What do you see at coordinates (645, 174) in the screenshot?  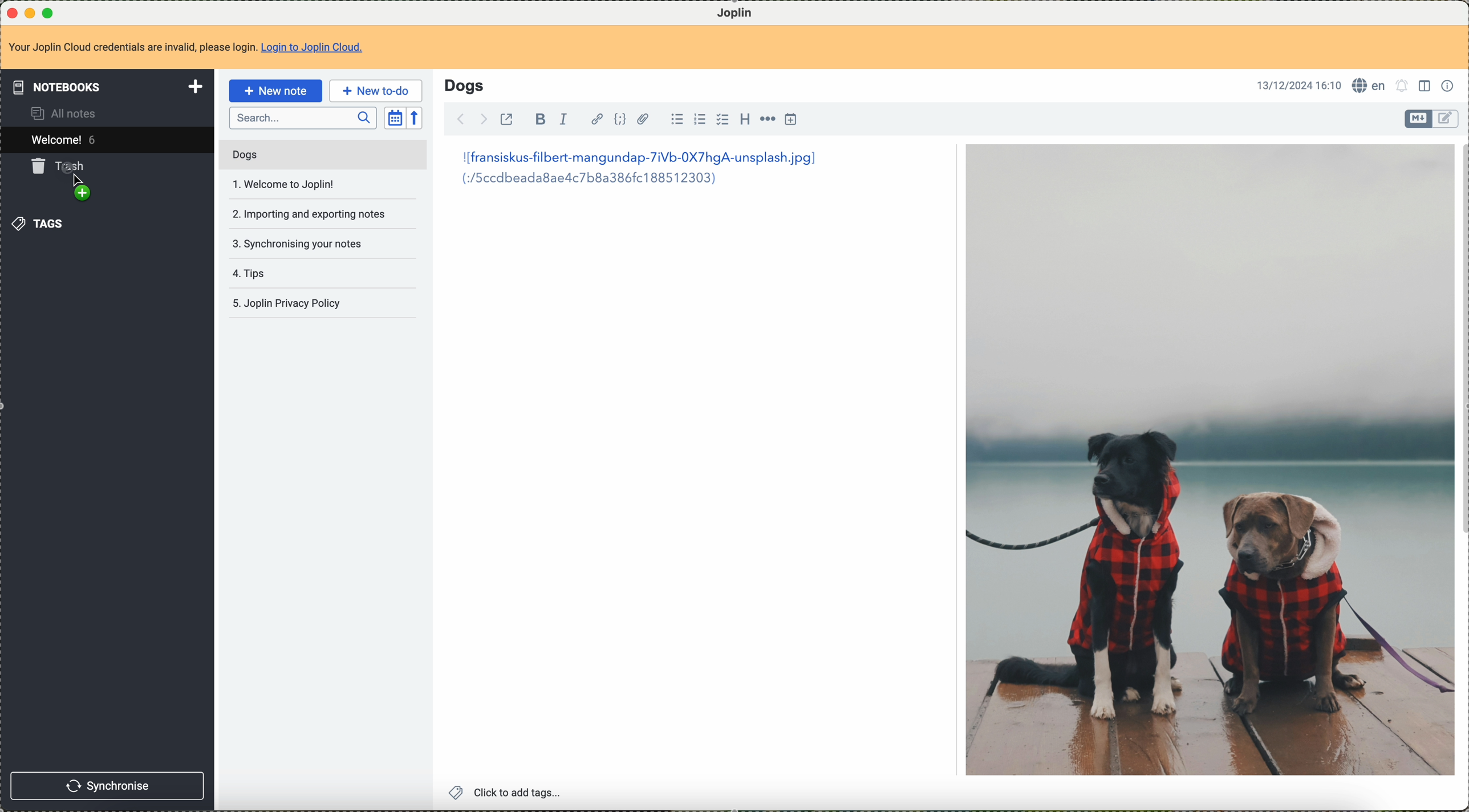 I see `|[fransiskus-filbert-mangundap-7iVb-0X7hgA-unsplash.jpg]
(:/5ccdbeada8aelc7b8a386fc188512303)` at bounding box center [645, 174].